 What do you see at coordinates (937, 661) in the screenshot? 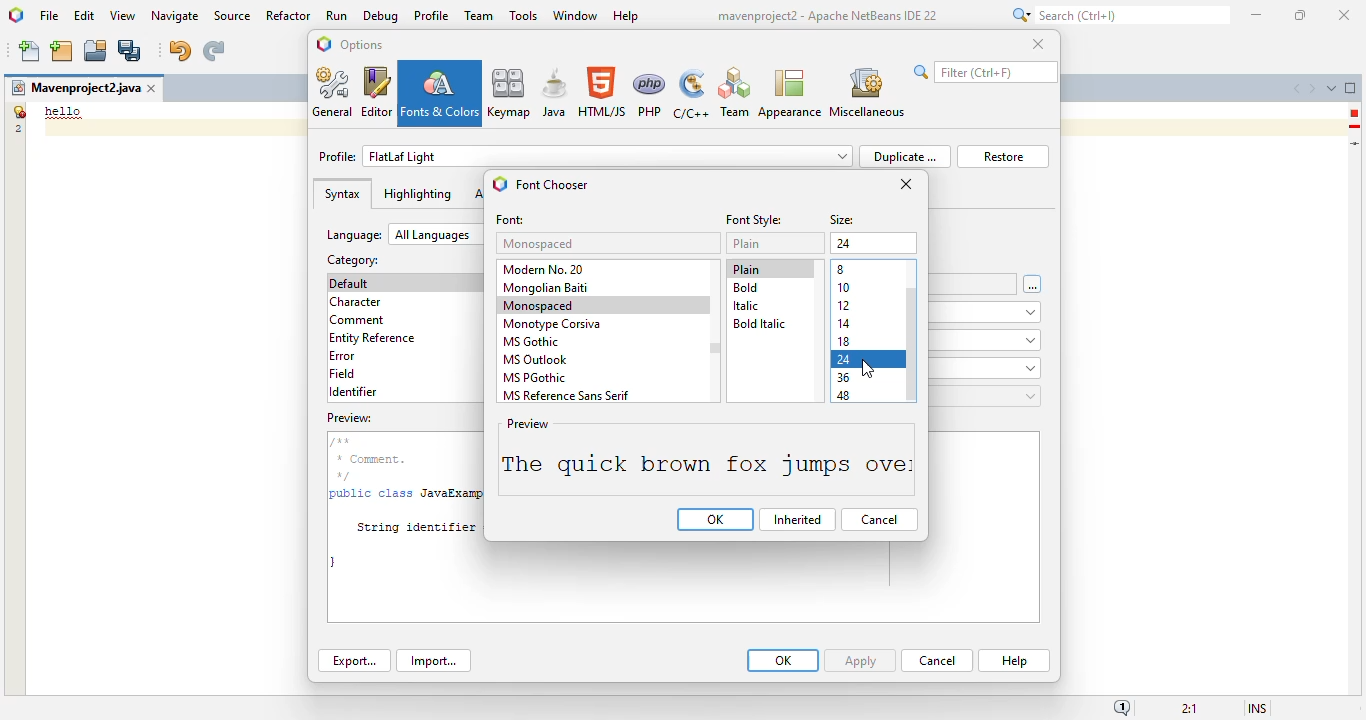
I see `cancel` at bounding box center [937, 661].